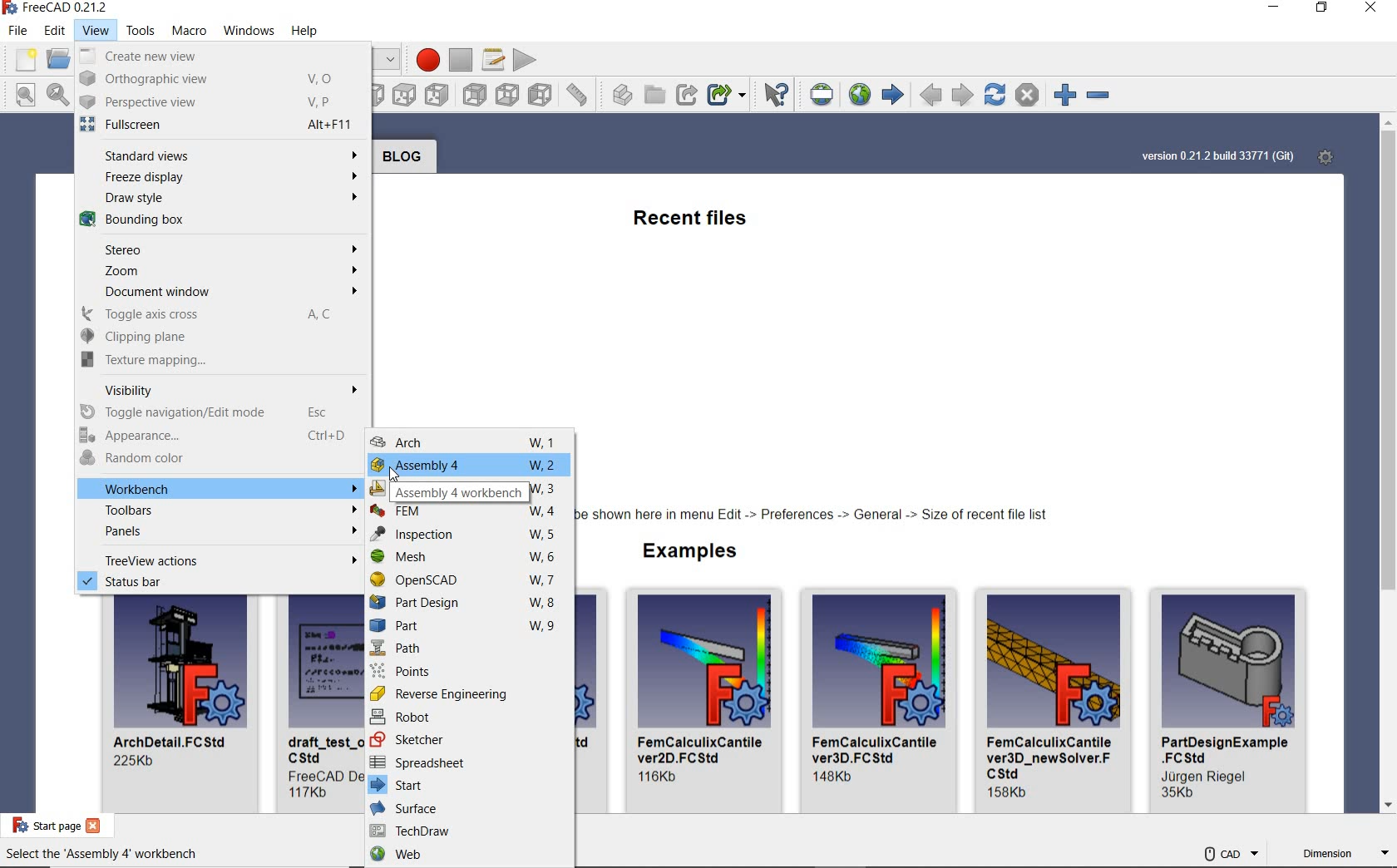  Describe the element at coordinates (860, 94) in the screenshot. I see `open website` at that location.